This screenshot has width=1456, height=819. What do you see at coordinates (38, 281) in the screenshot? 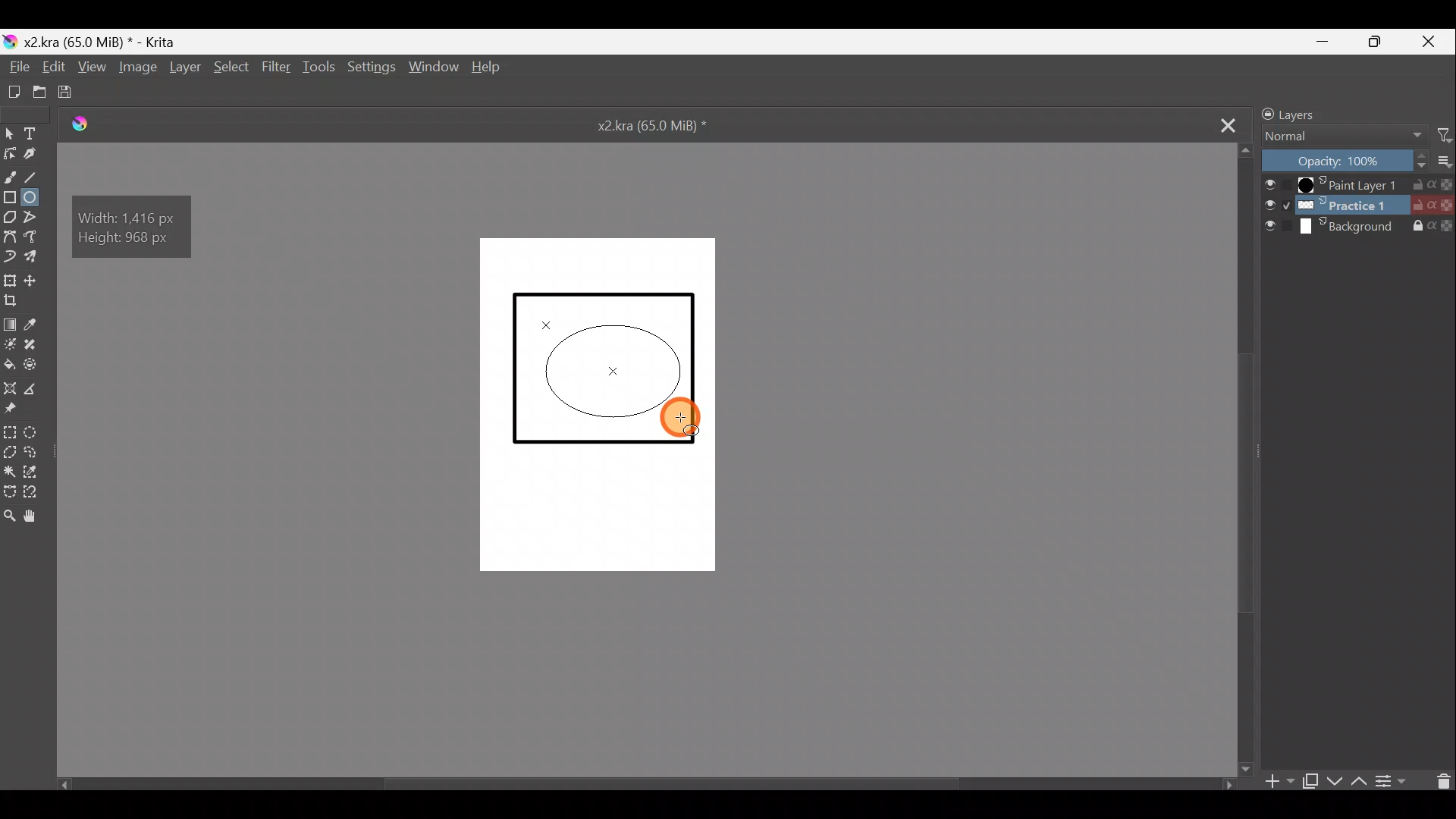
I see `Move layer` at bounding box center [38, 281].